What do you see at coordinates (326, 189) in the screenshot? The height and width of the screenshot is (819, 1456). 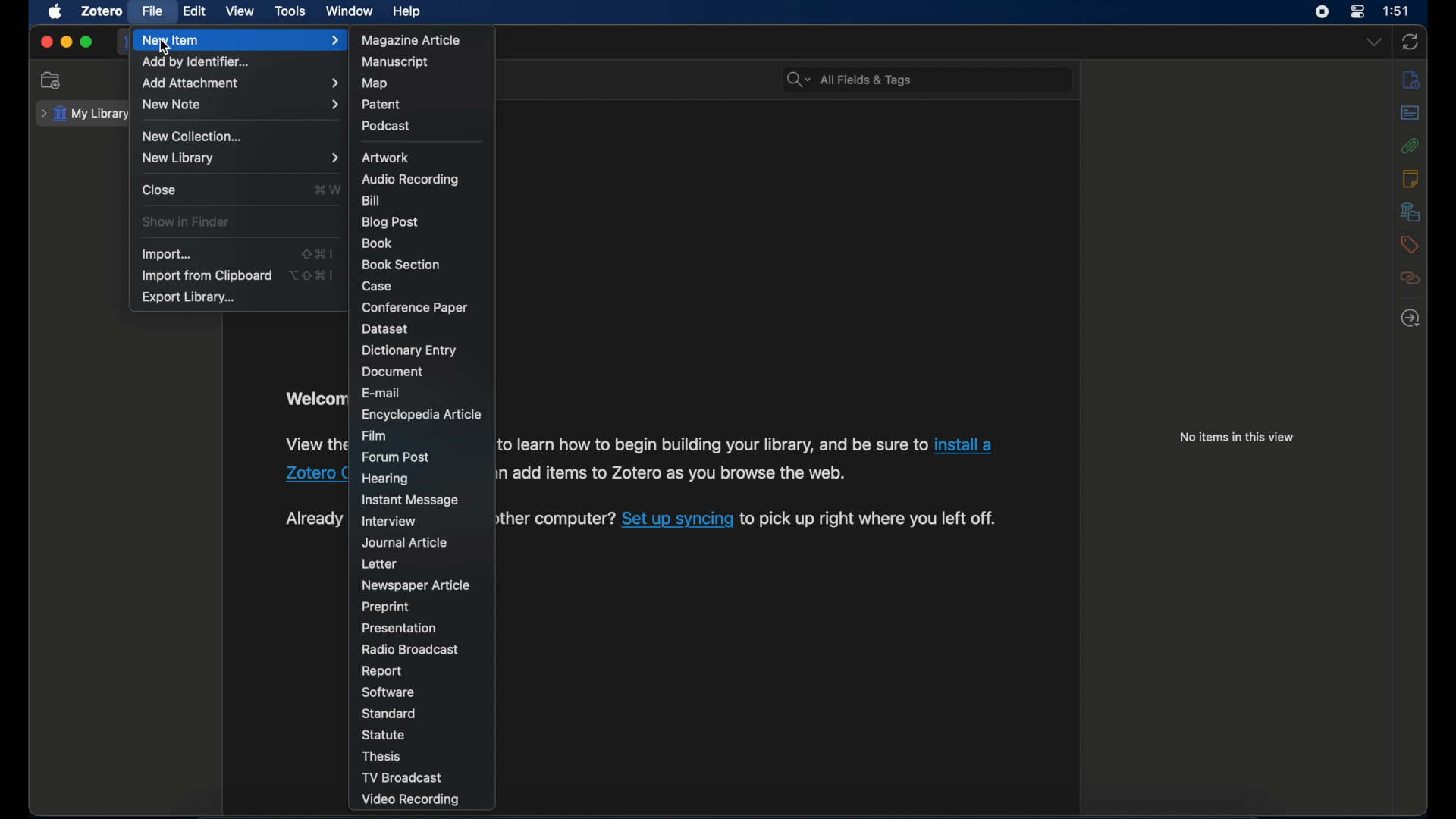 I see `command + W` at bounding box center [326, 189].